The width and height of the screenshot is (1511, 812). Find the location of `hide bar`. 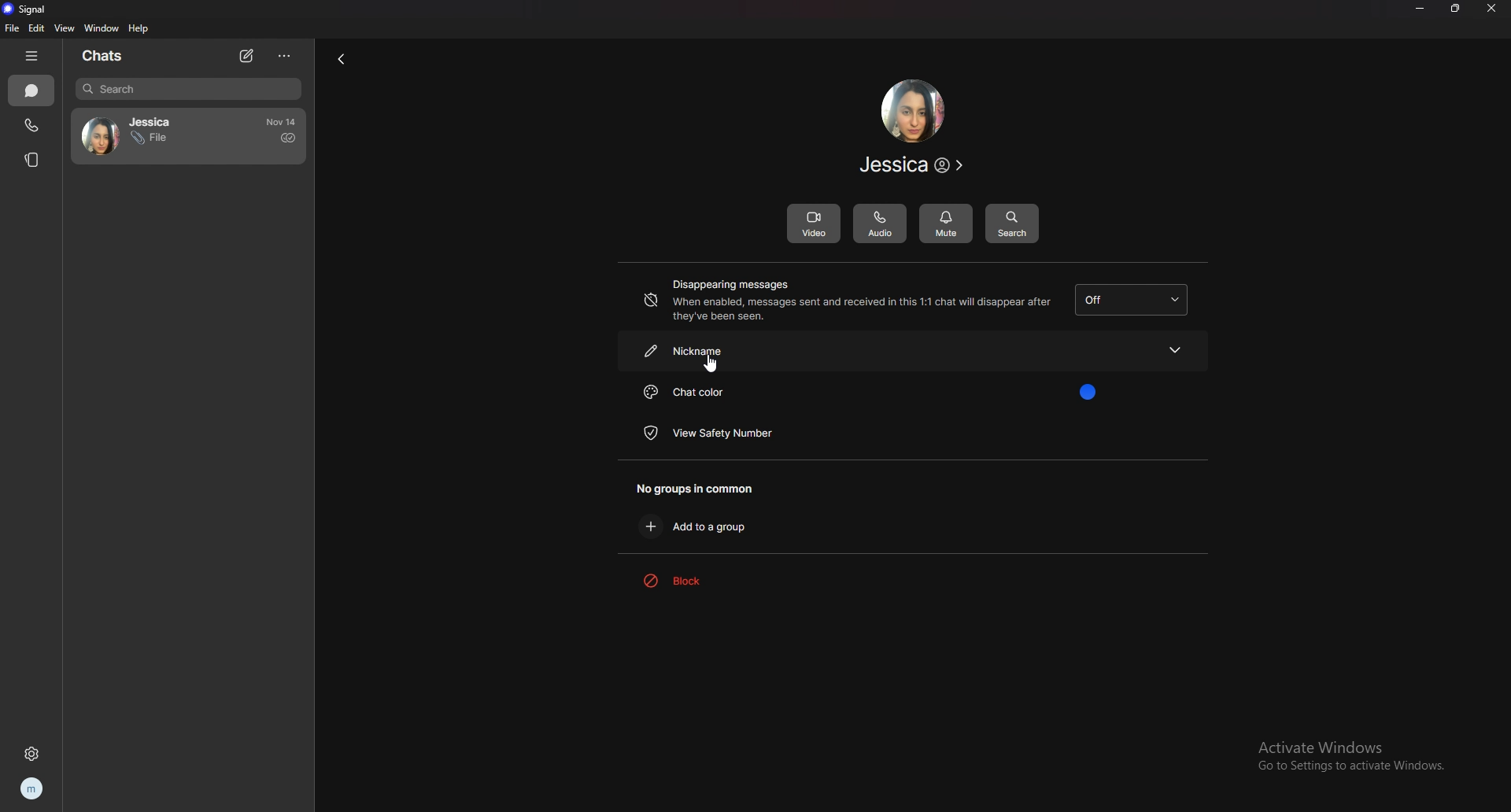

hide bar is located at coordinates (35, 55).